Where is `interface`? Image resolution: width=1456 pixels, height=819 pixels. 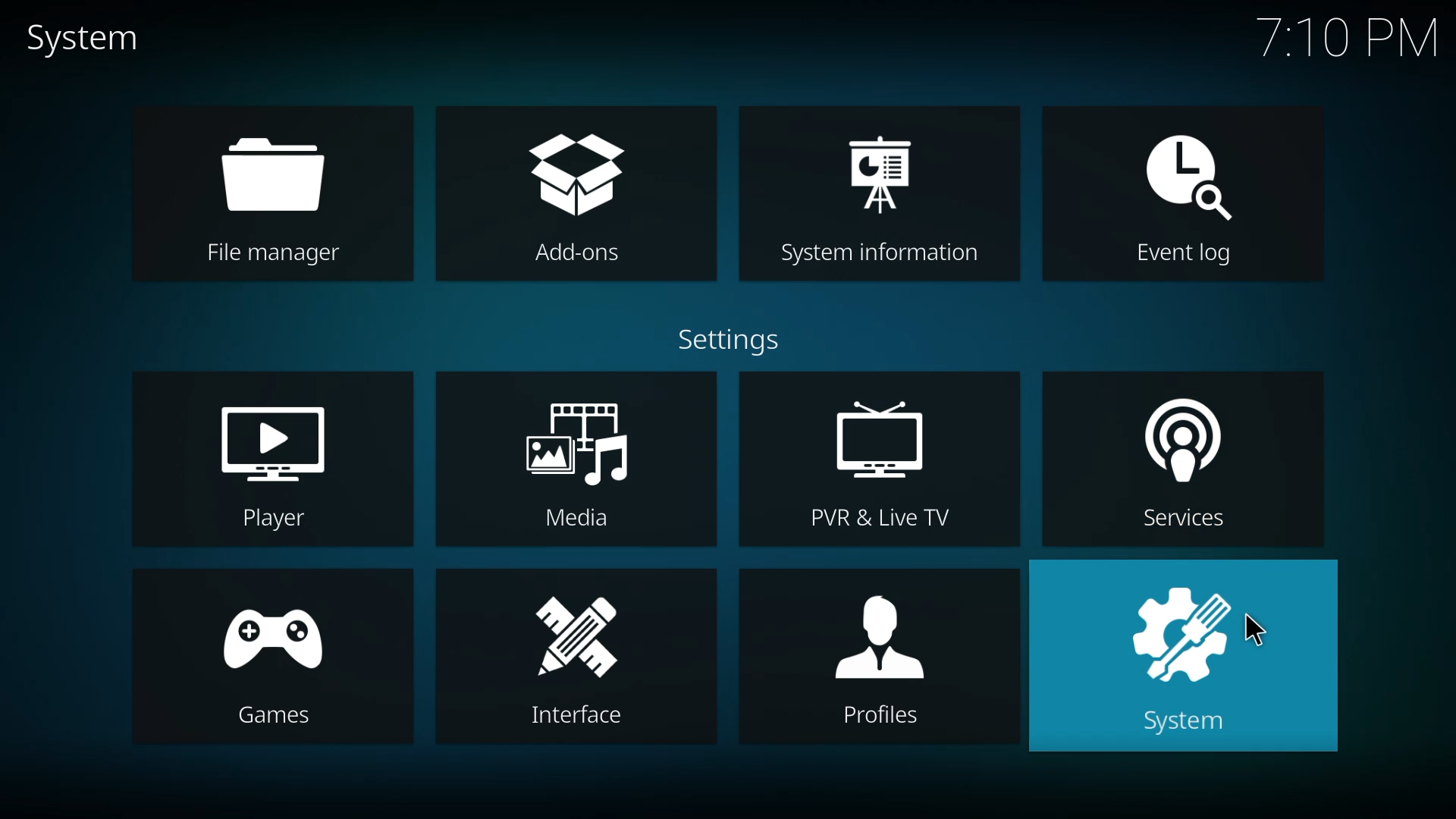
interface is located at coordinates (579, 662).